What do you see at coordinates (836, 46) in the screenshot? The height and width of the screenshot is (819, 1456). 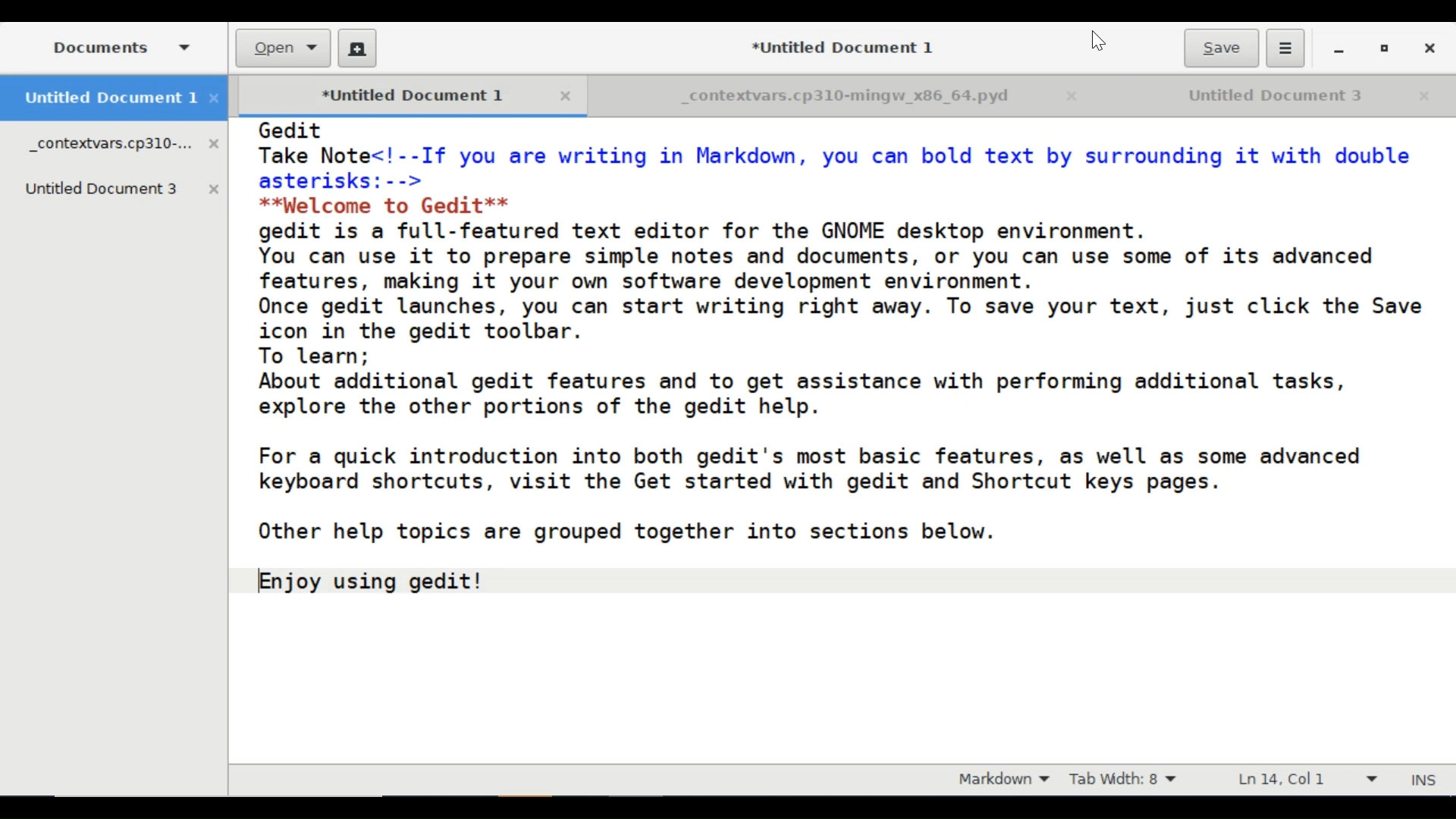 I see `Untitled Document 3` at bounding box center [836, 46].